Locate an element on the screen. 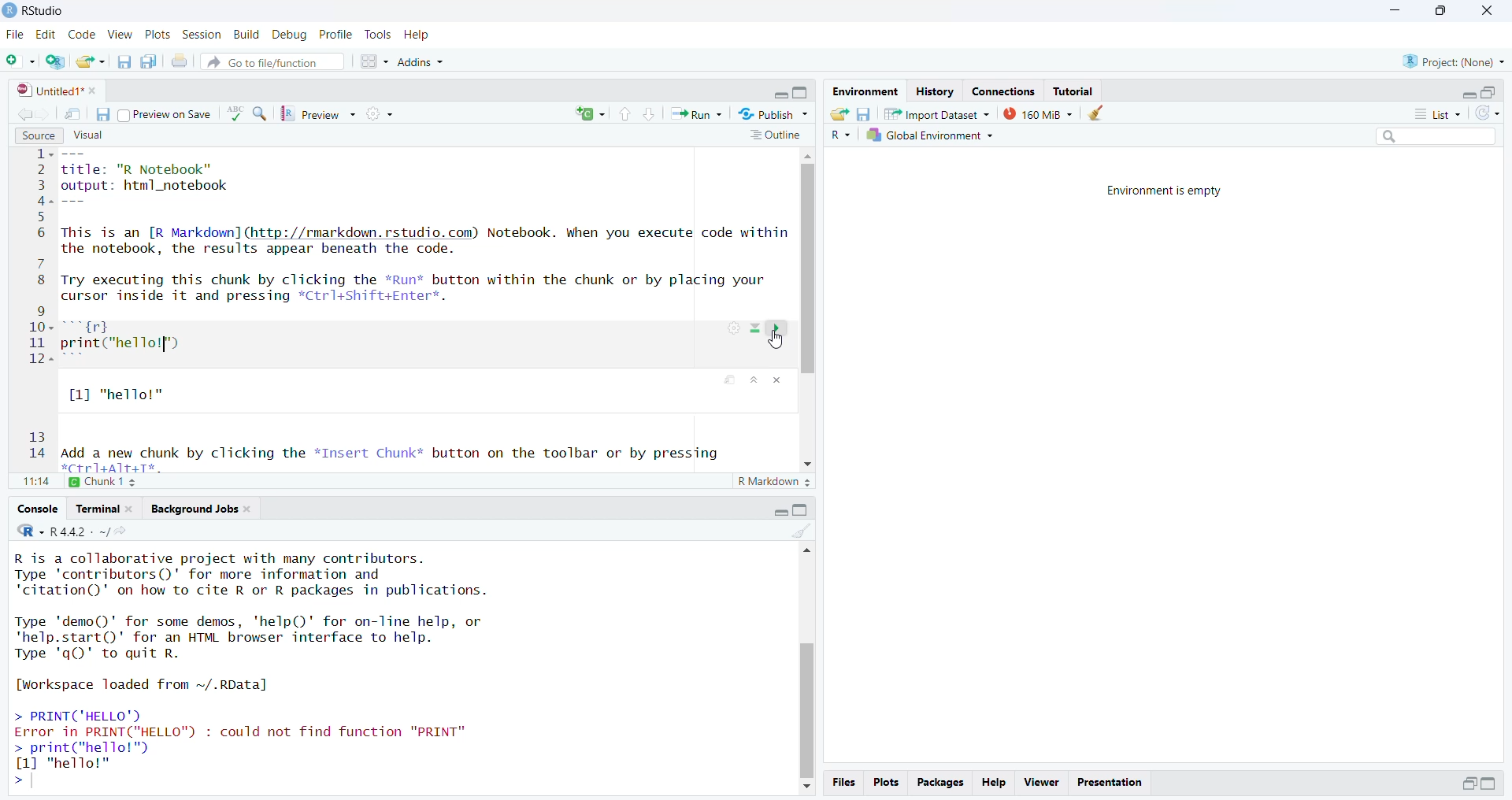 The height and width of the screenshot is (800, 1512). visual is located at coordinates (87, 134).